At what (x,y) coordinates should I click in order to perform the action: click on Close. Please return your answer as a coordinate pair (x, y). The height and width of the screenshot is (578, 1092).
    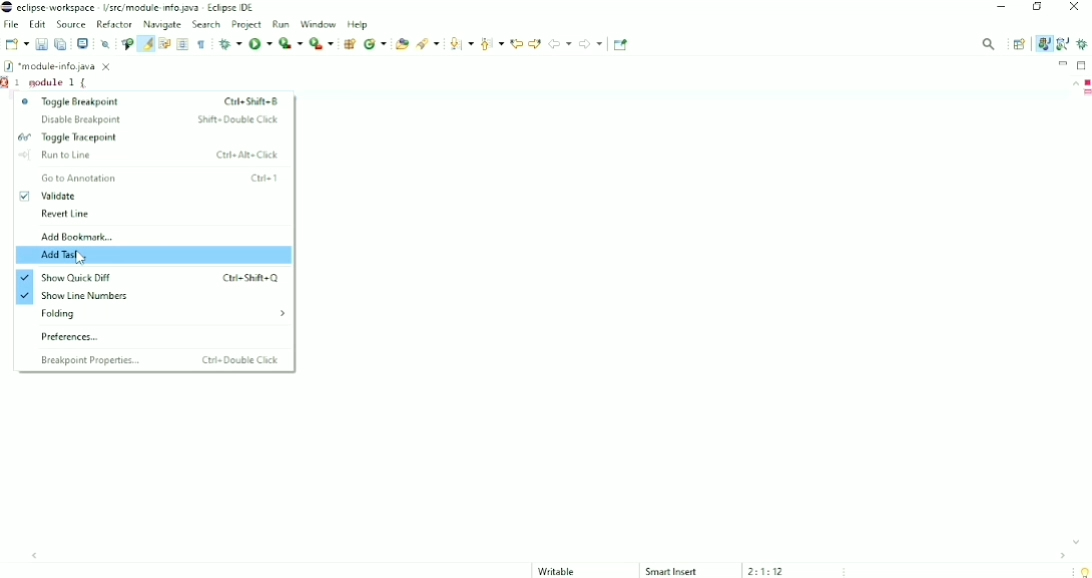
    Looking at the image, I should click on (1076, 8).